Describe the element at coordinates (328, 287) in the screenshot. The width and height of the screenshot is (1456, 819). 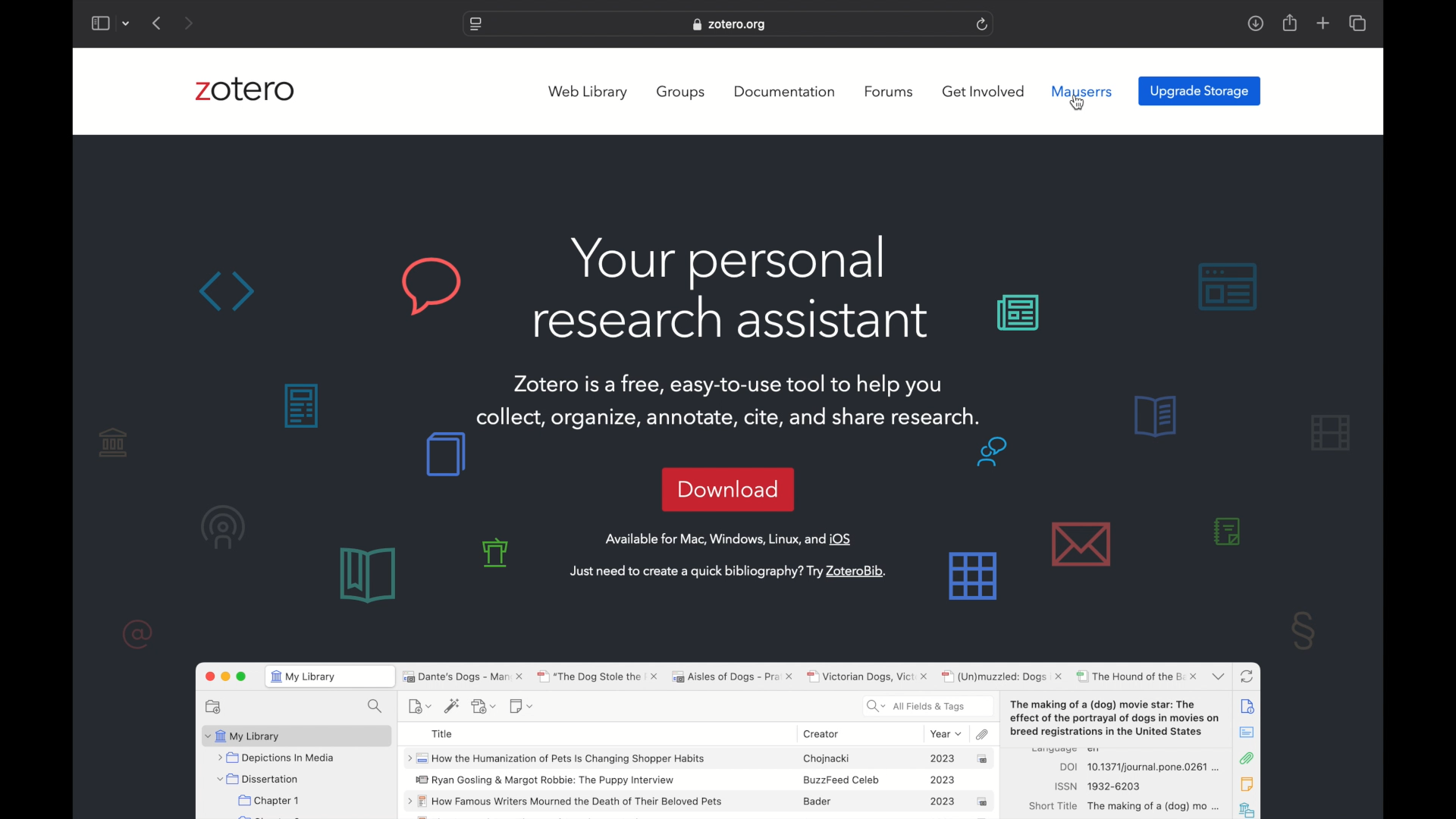
I see `background graphics` at that location.